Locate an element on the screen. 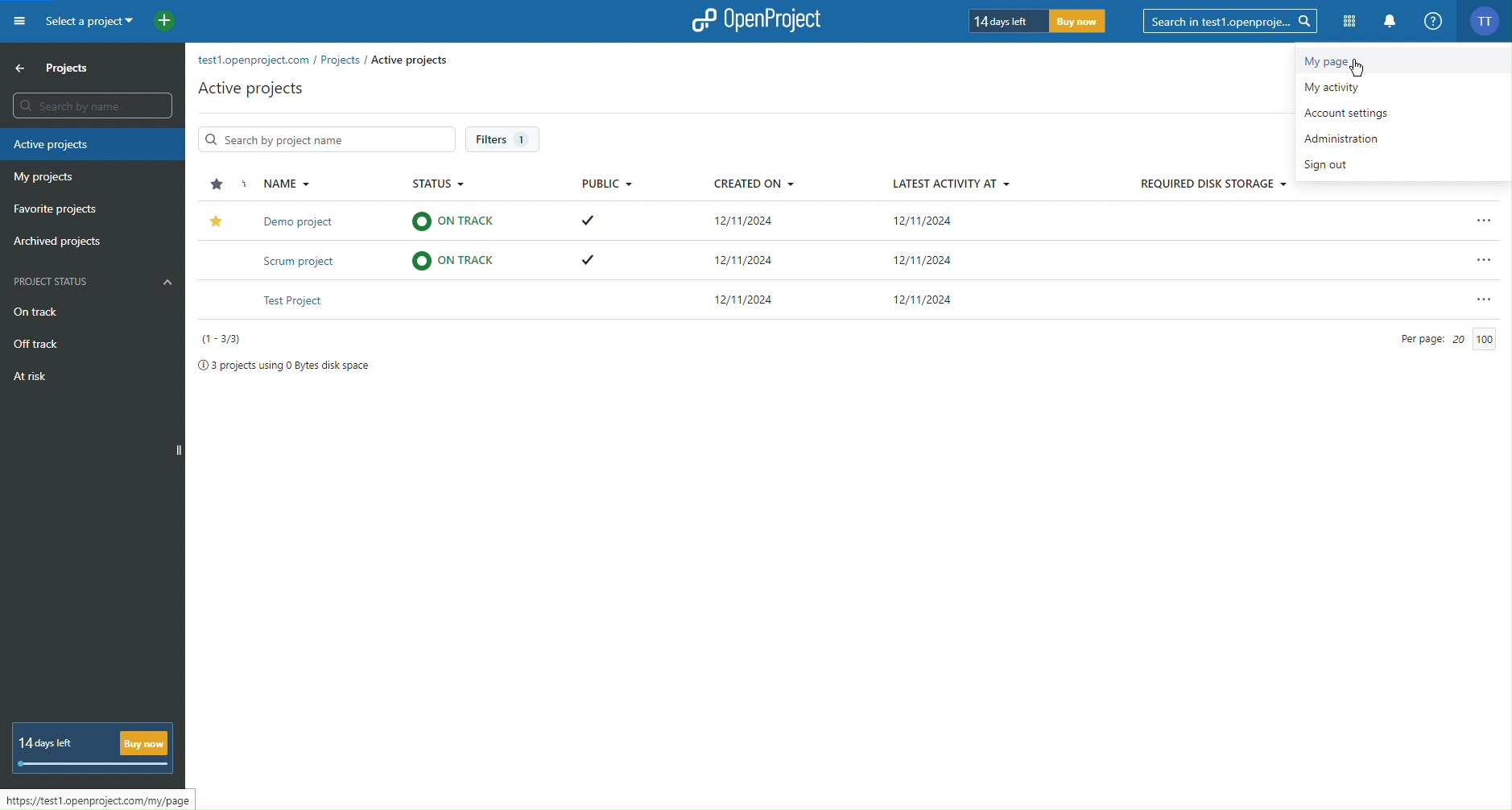  Latest Activity At is located at coordinates (953, 180).